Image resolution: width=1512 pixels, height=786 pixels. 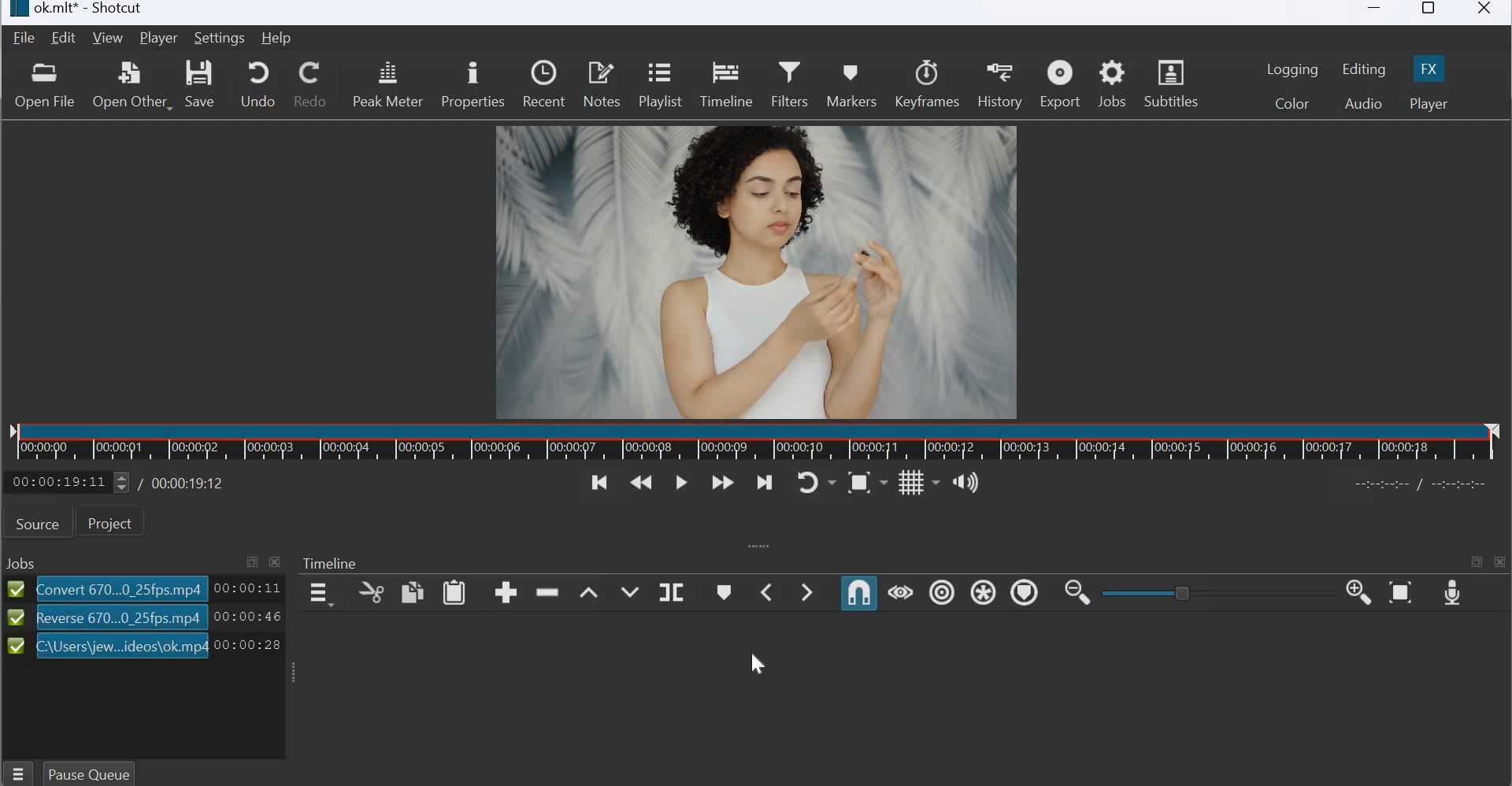 I want to click on Filters, so click(x=790, y=82).